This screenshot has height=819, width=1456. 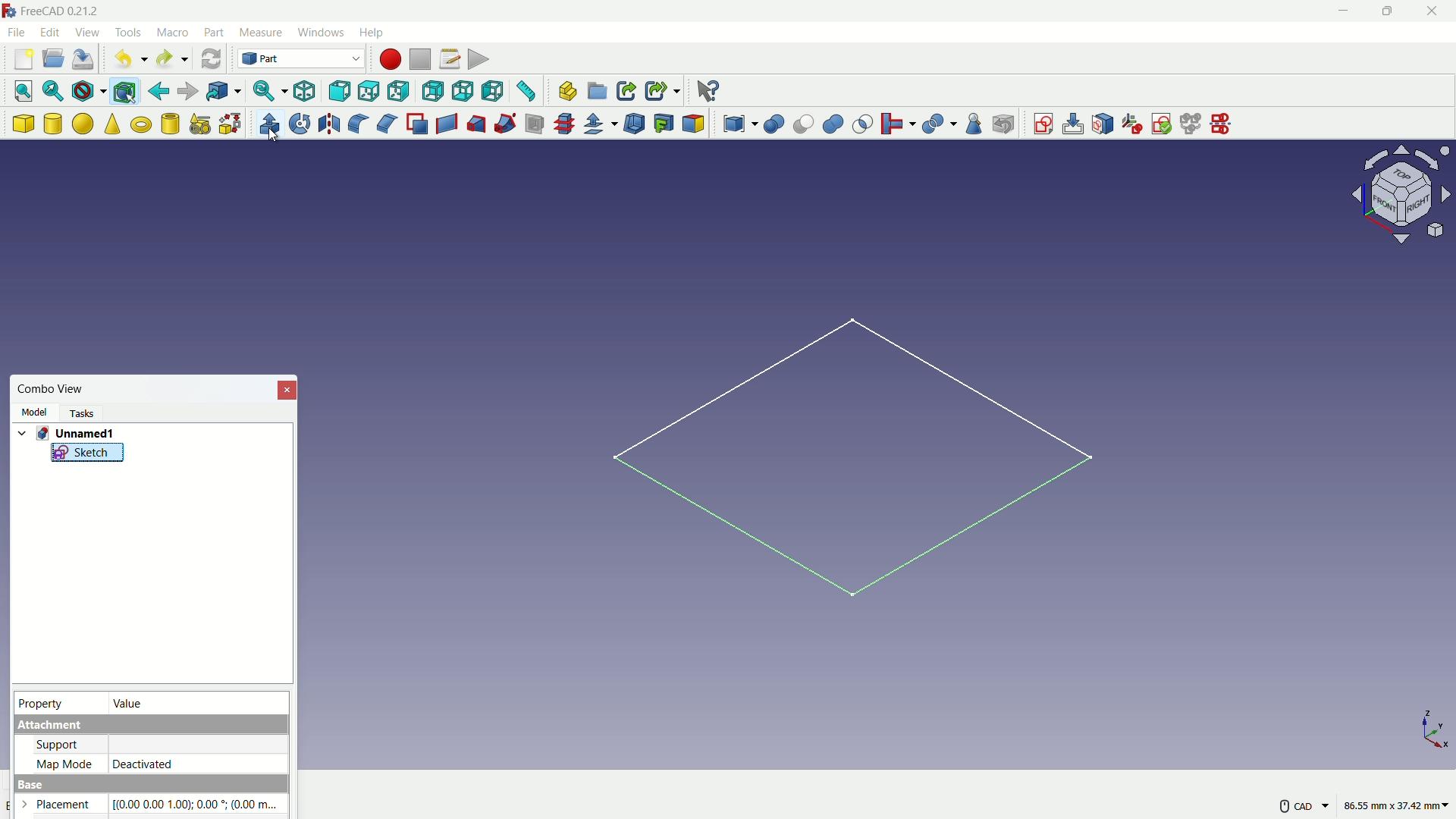 What do you see at coordinates (450, 59) in the screenshot?
I see `macro settings` at bounding box center [450, 59].